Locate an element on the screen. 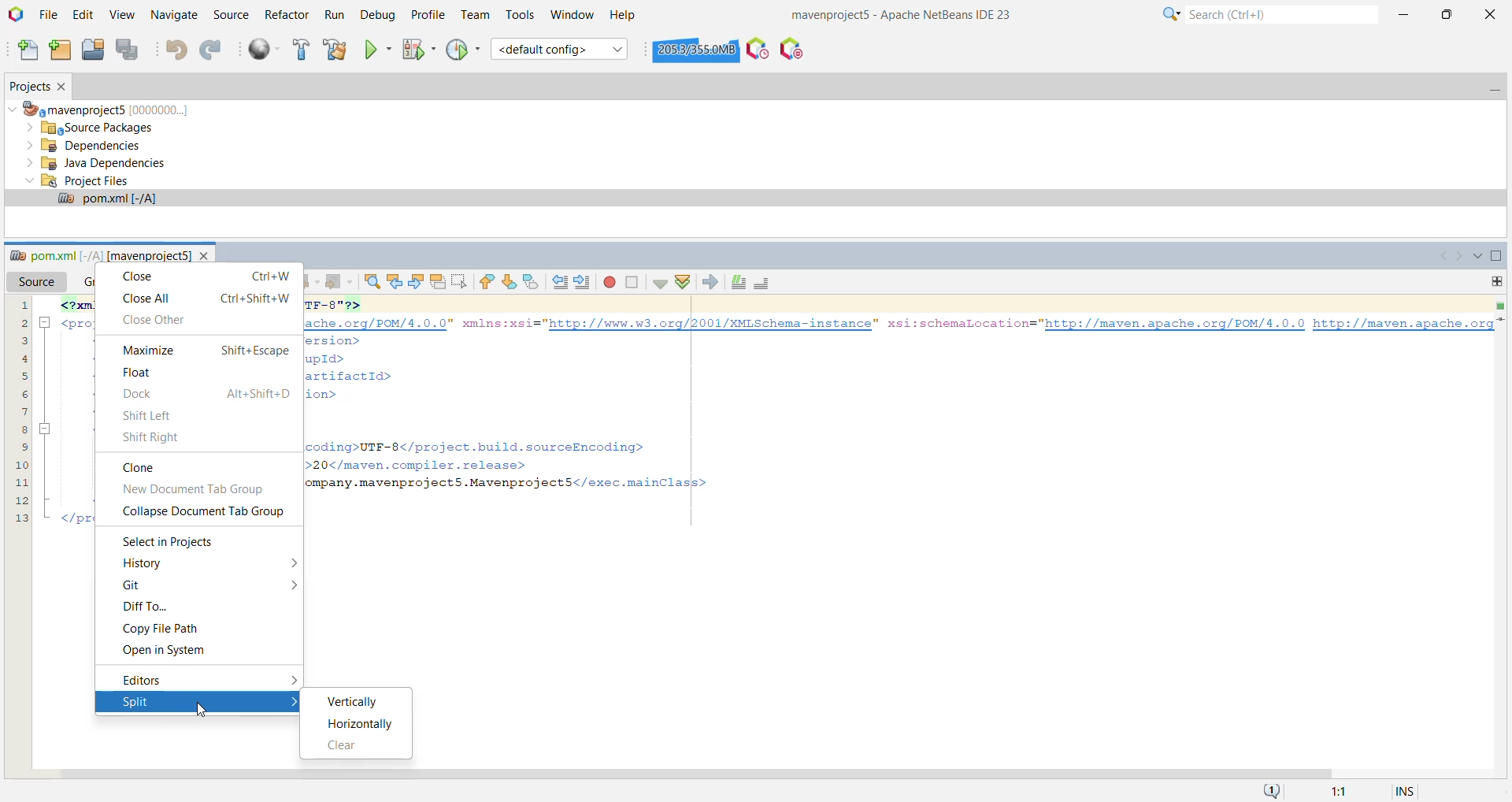 This screenshot has height=802, width=1512. Help is located at coordinates (624, 16).